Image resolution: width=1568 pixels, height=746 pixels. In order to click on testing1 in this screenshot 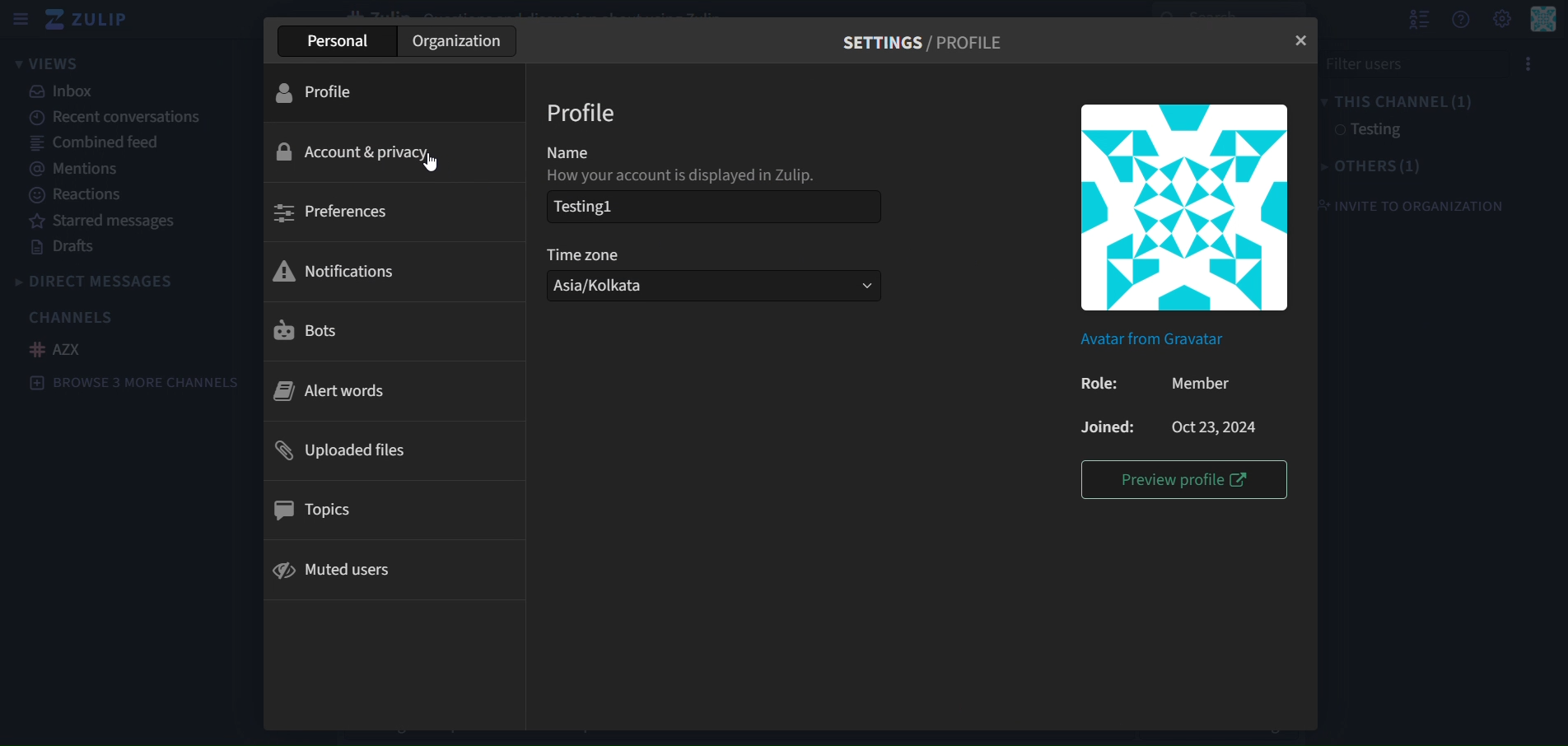, I will do `click(646, 207)`.